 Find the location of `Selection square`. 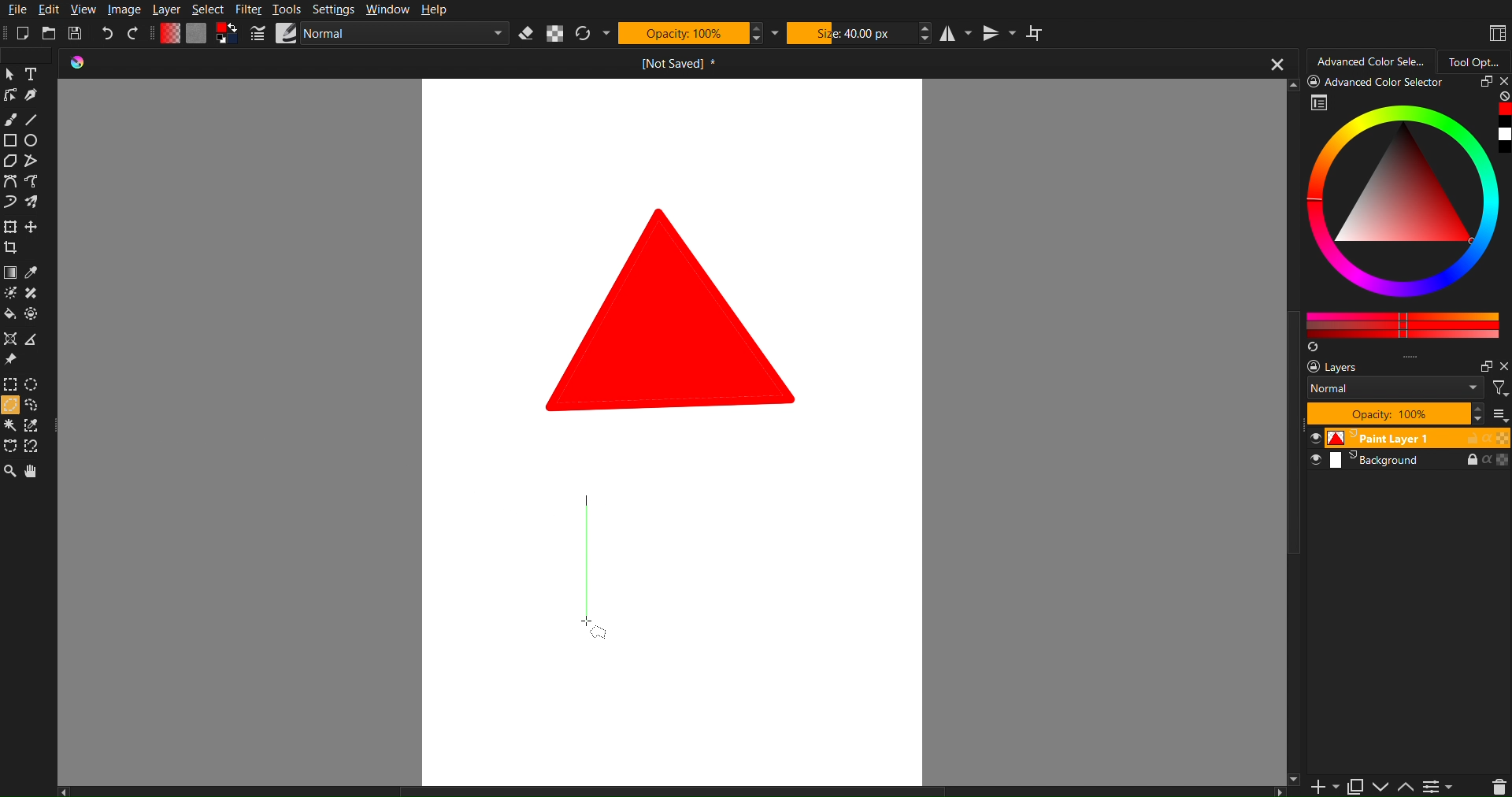

Selection square is located at coordinates (9, 384).